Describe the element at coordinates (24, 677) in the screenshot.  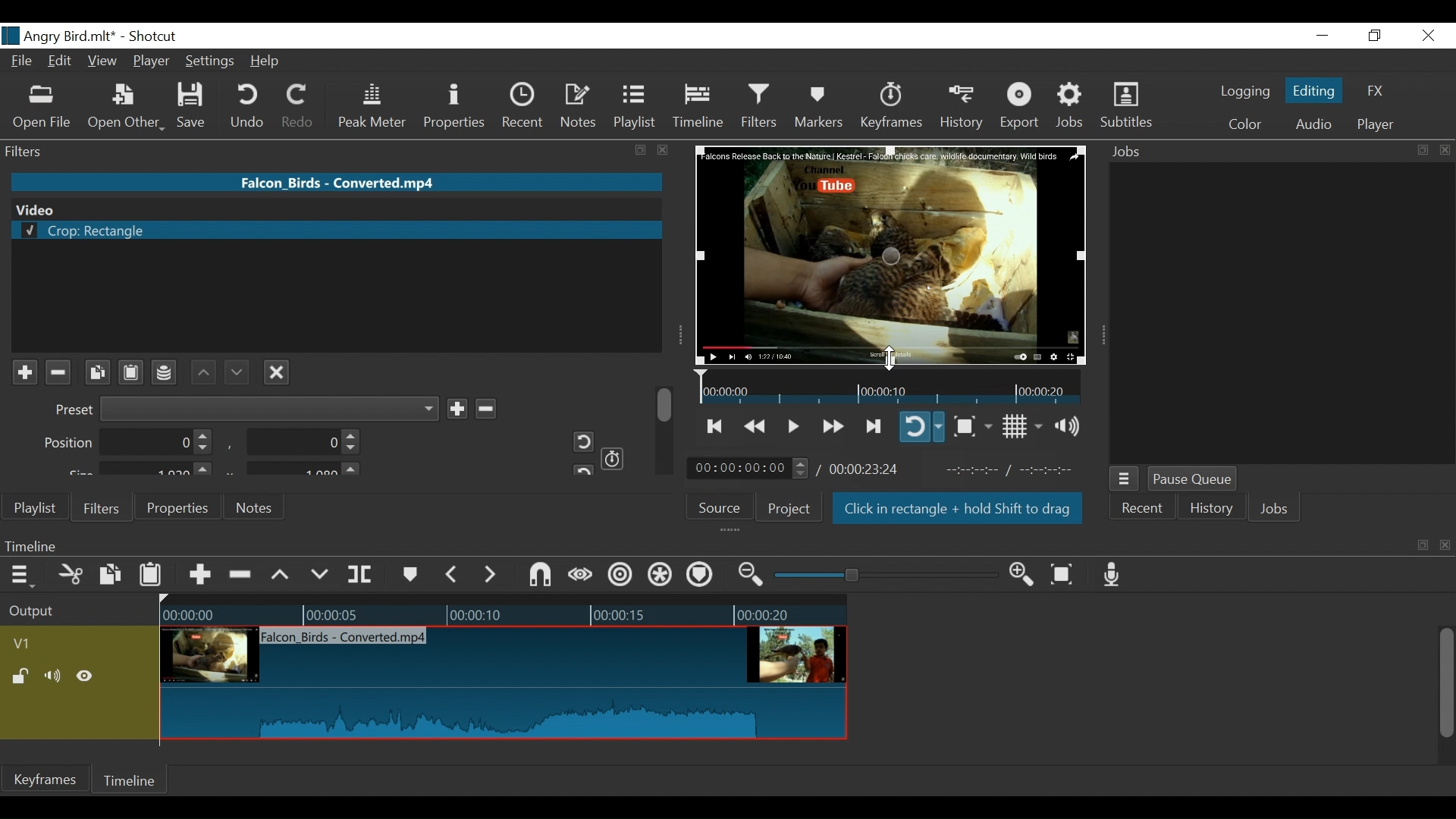
I see `(un)lock track` at that location.